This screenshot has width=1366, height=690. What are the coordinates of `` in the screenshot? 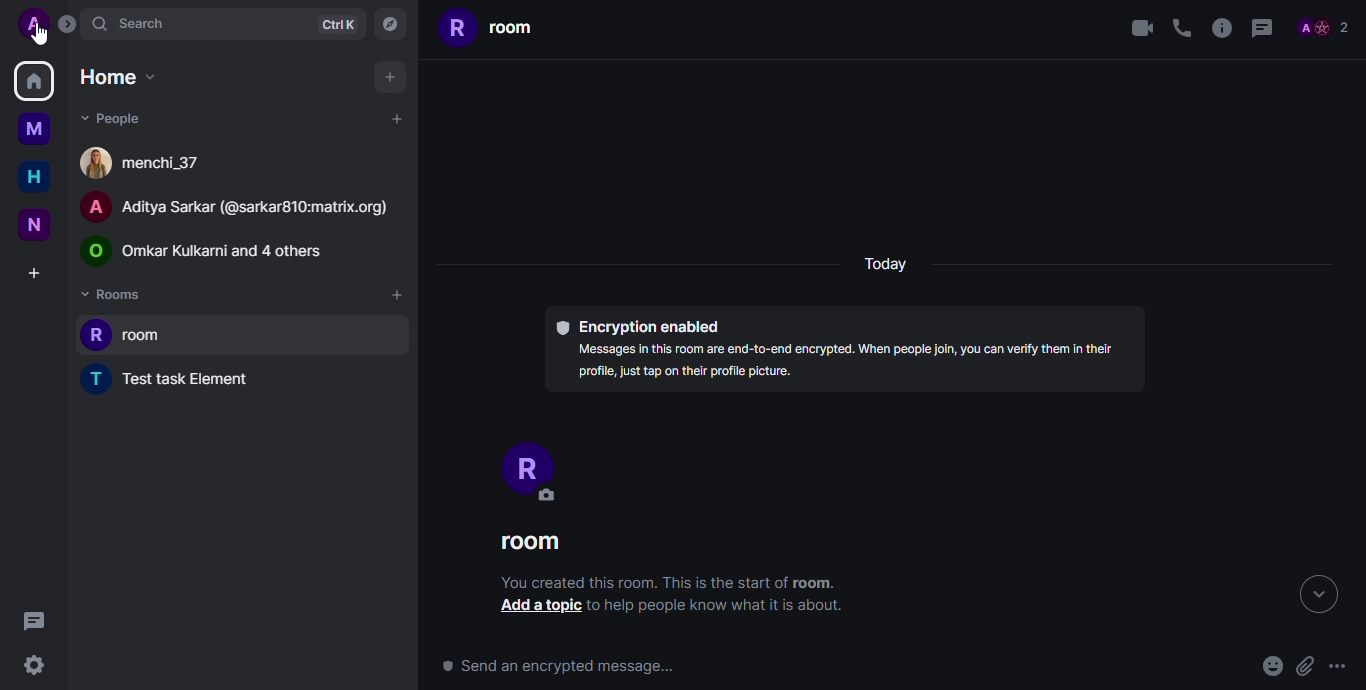 It's located at (38, 35).